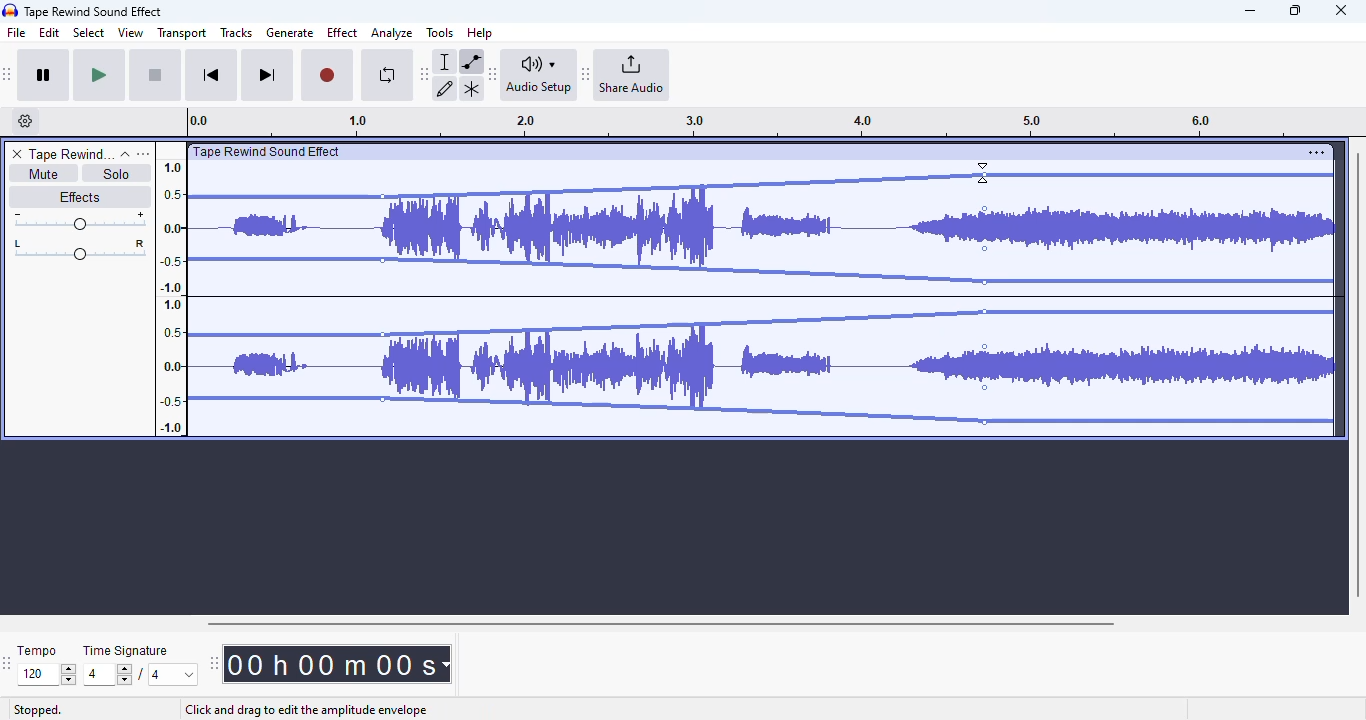  What do you see at coordinates (79, 196) in the screenshot?
I see `effects` at bounding box center [79, 196].